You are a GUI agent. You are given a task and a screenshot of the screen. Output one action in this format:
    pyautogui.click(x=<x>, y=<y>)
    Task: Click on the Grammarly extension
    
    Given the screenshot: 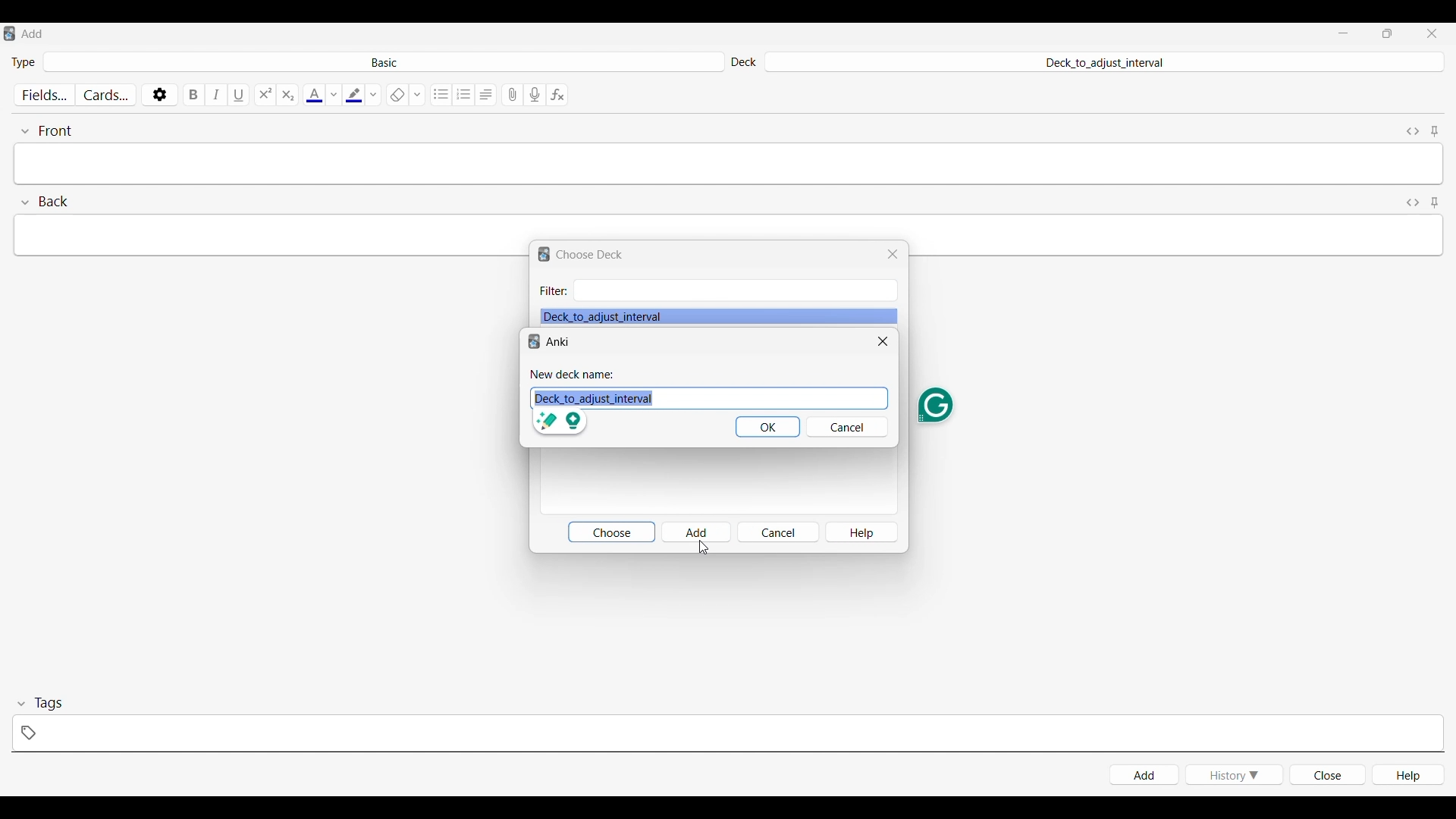 What is the action you would take?
    pyautogui.click(x=561, y=423)
    